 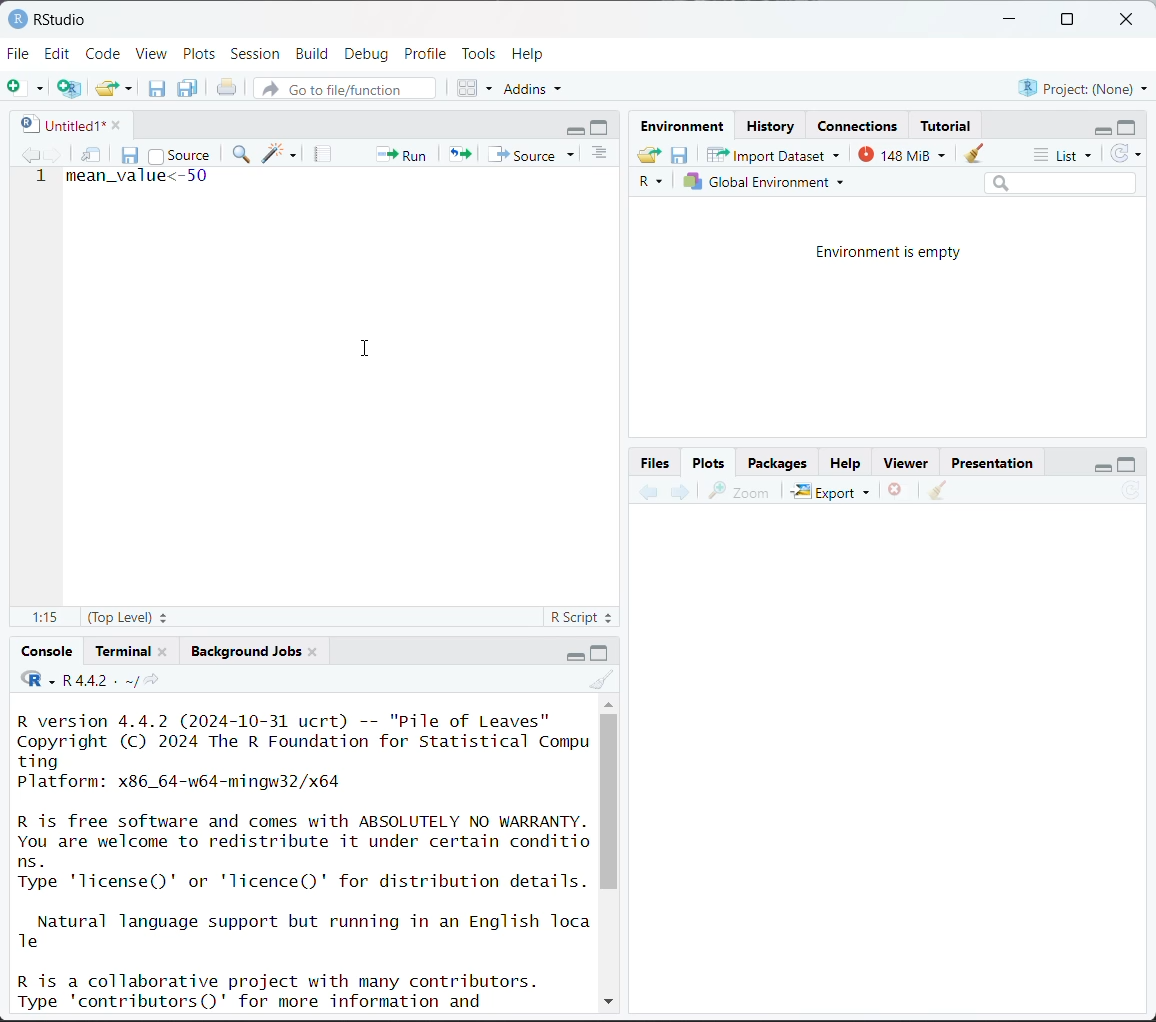 What do you see at coordinates (896, 493) in the screenshot?
I see `remove the current plot` at bounding box center [896, 493].